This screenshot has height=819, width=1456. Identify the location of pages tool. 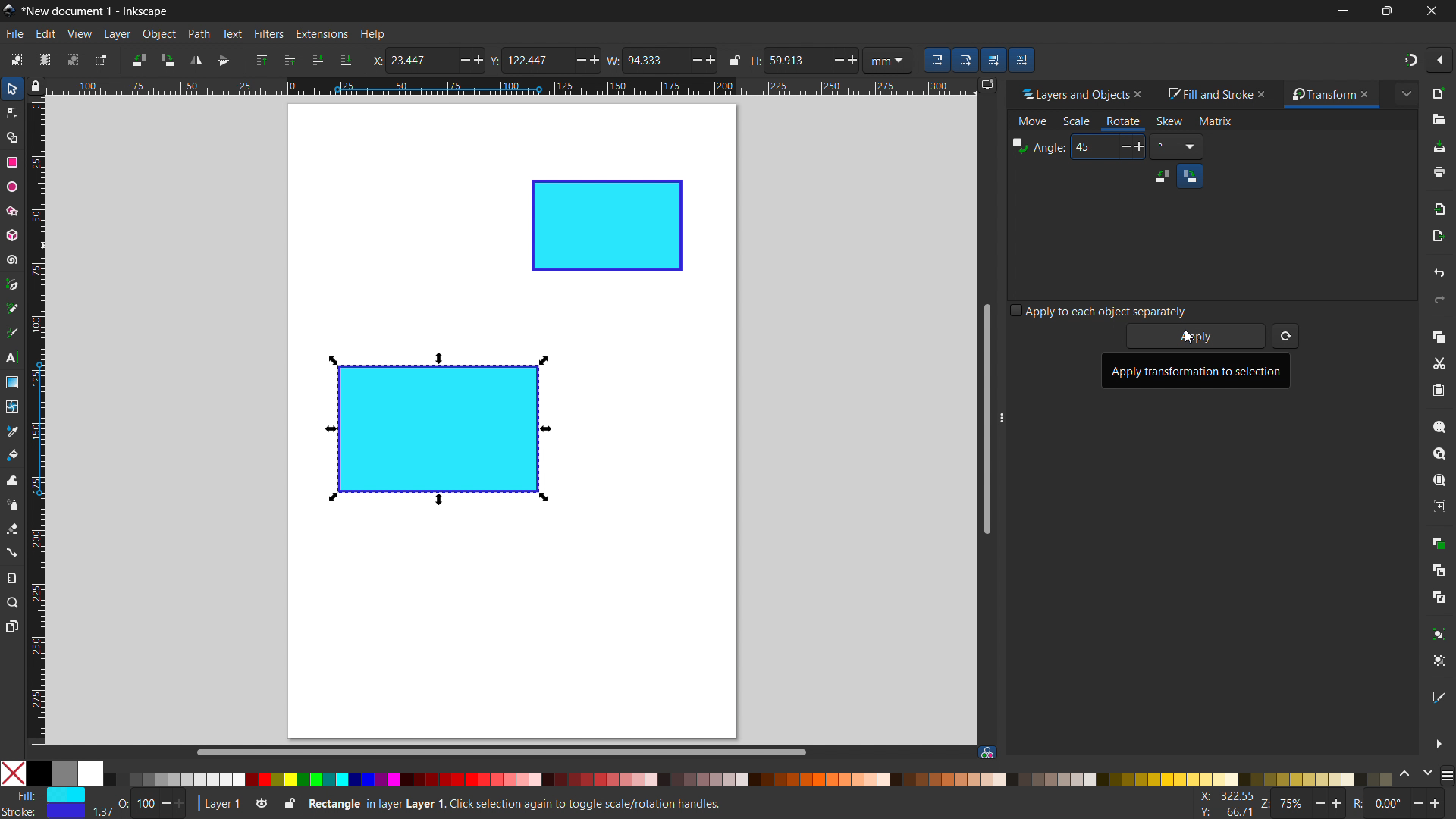
(13, 626).